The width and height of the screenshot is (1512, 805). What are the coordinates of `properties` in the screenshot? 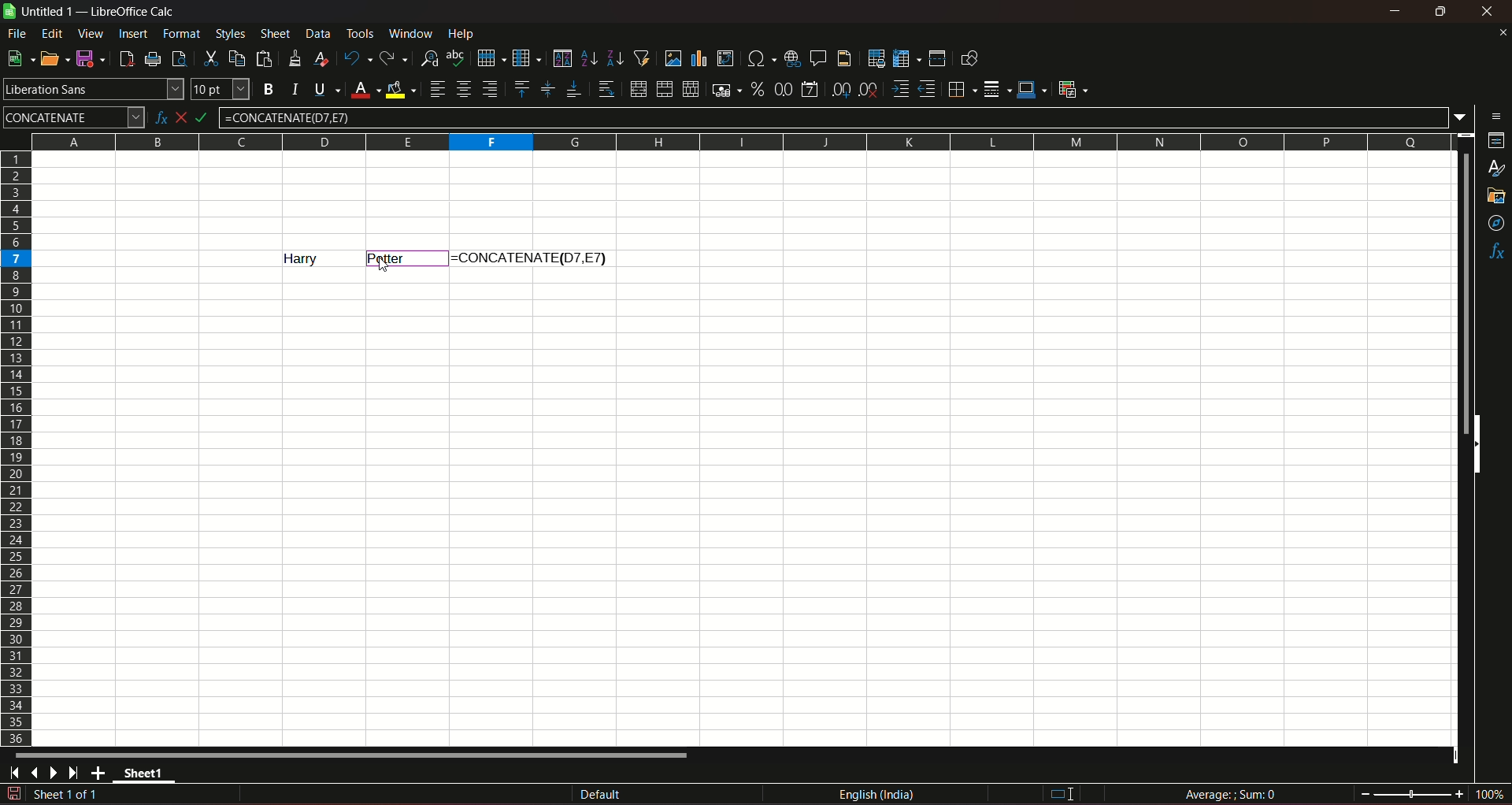 It's located at (1496, 142).